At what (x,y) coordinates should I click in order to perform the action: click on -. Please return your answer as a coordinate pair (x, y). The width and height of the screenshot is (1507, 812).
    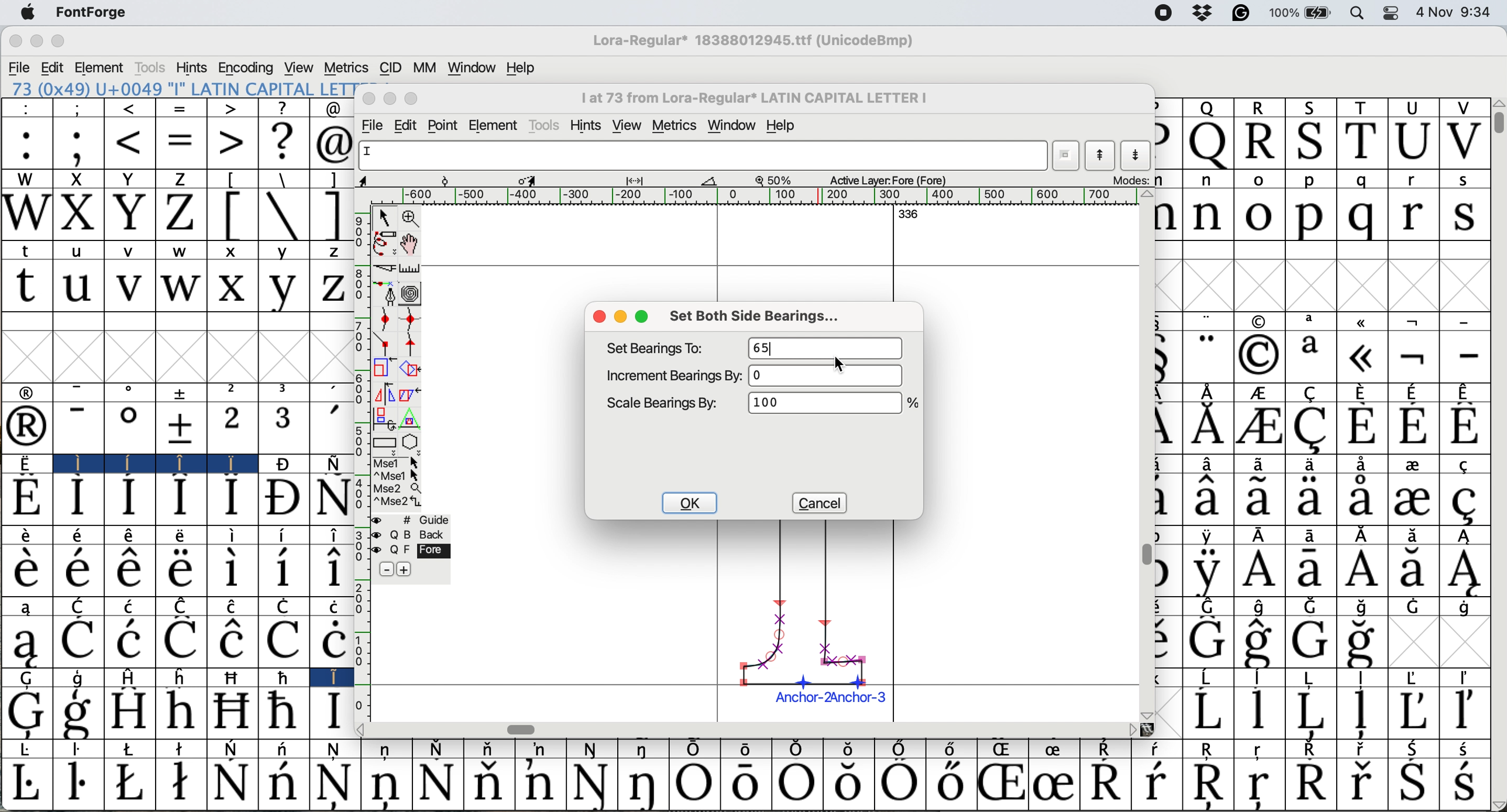
    Looking at the image, I should click on (80, 391).